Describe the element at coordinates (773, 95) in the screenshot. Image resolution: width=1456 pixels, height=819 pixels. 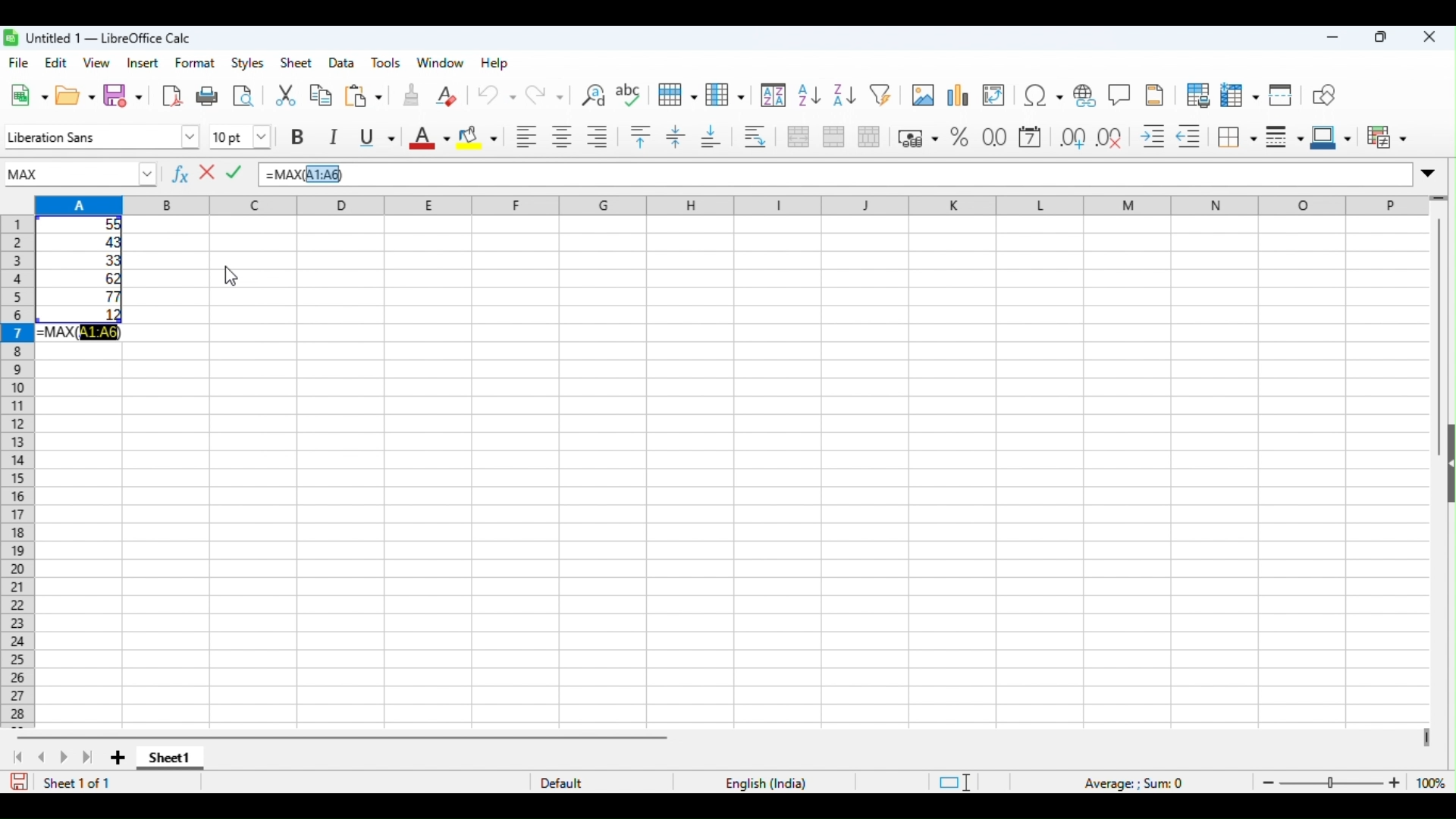
I see `sort` at that location.